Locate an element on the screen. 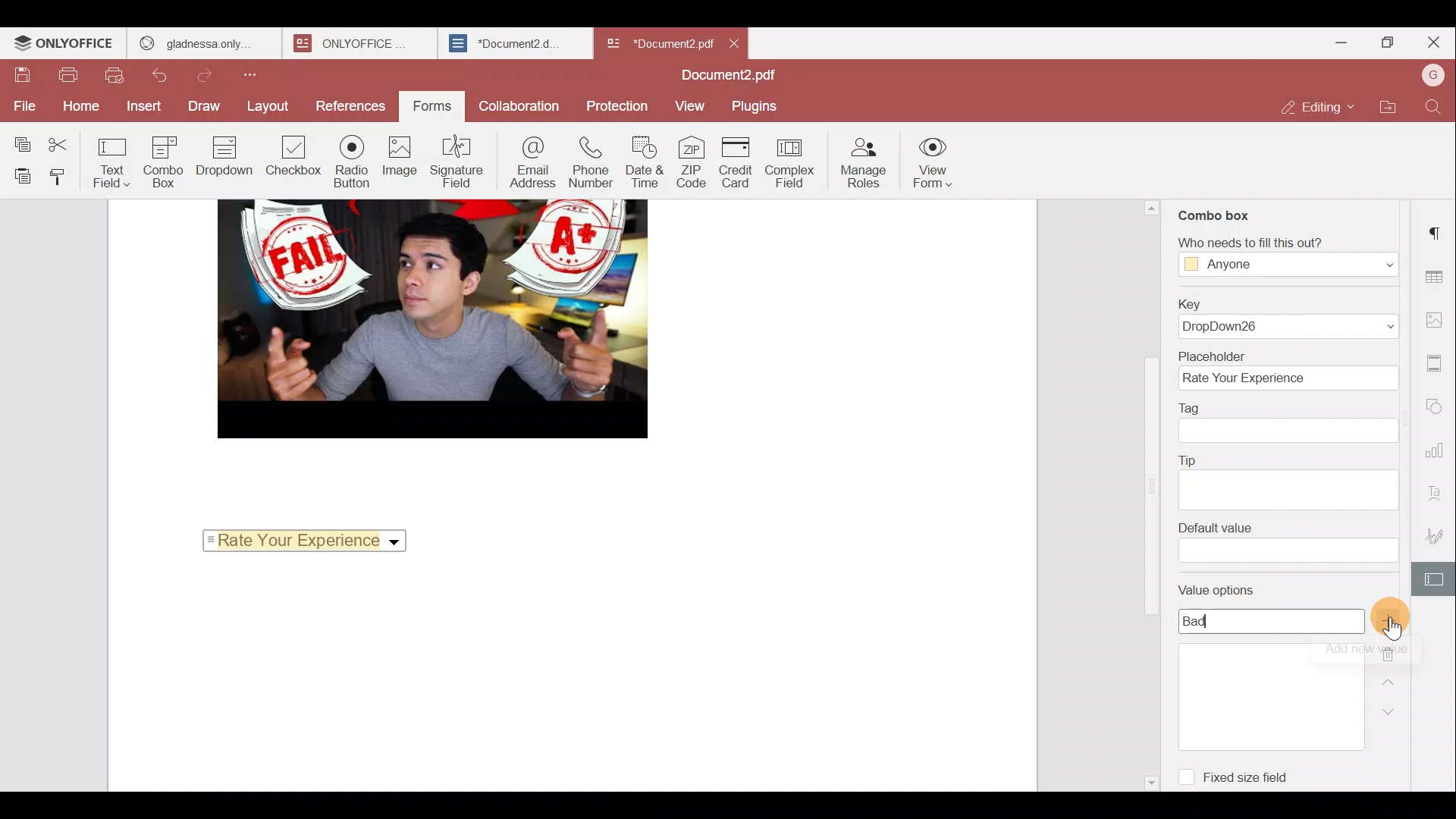 The height and width of the screenshot is (819, 1456). Layout is located at coordinates (267, 108).